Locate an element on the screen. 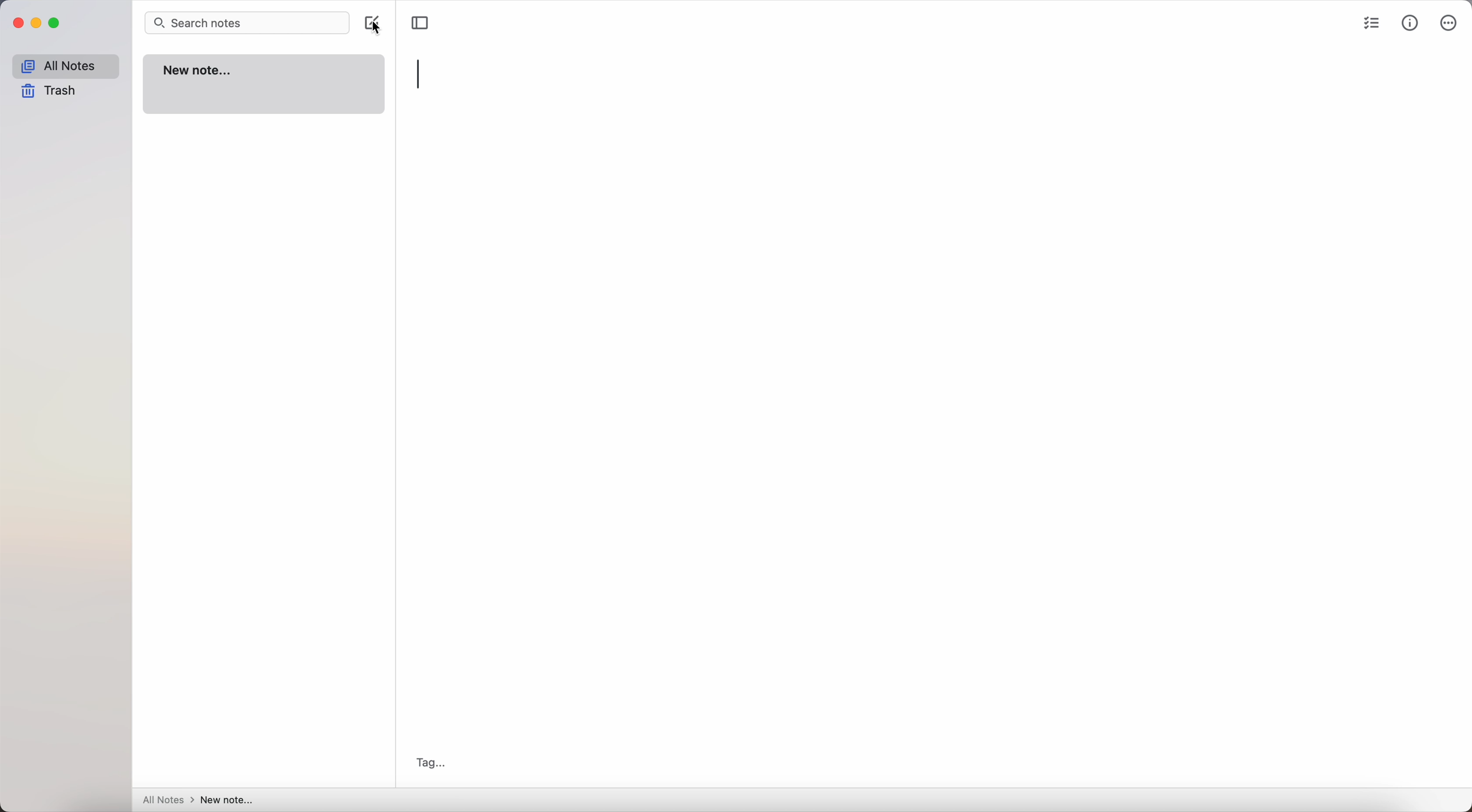 The height and width of the screenshot is (812, 1472). search bar is located at coordinates (247, 23).